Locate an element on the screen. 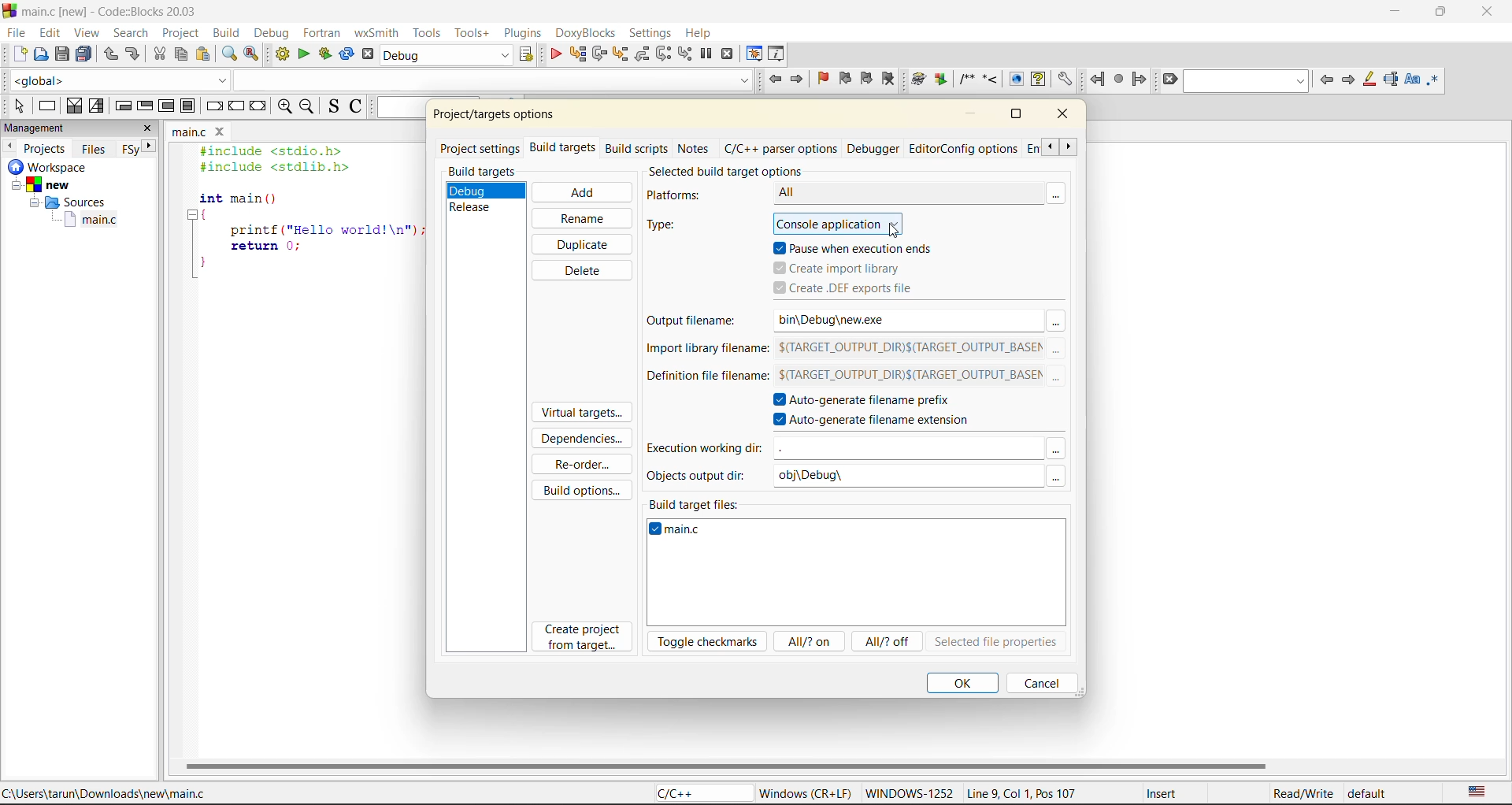 The image size is (1512, 805). more is located at coordinates (1055, 321).